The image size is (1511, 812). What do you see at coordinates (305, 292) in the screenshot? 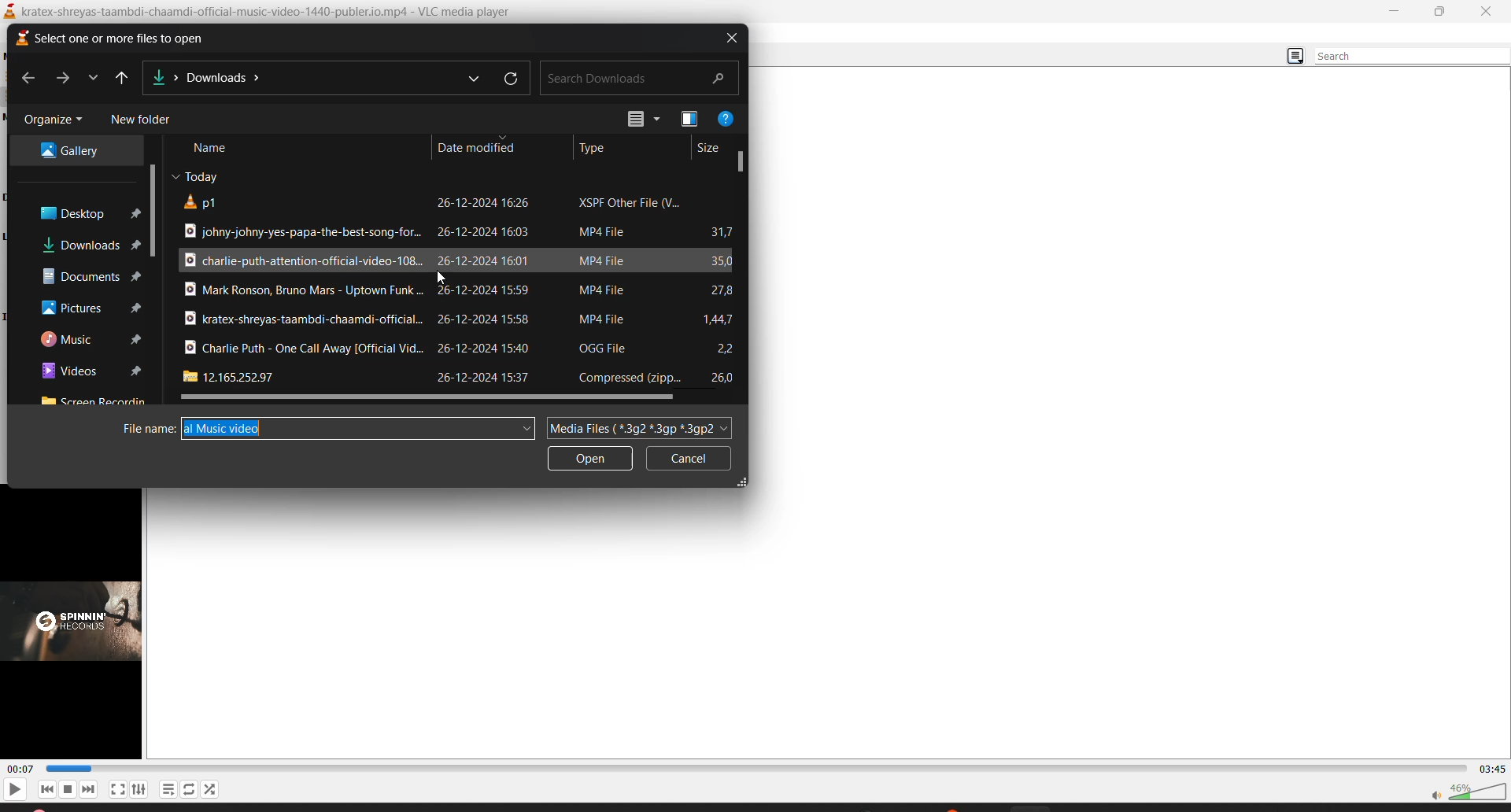
I see `file title` at bounding box center [305, 292].